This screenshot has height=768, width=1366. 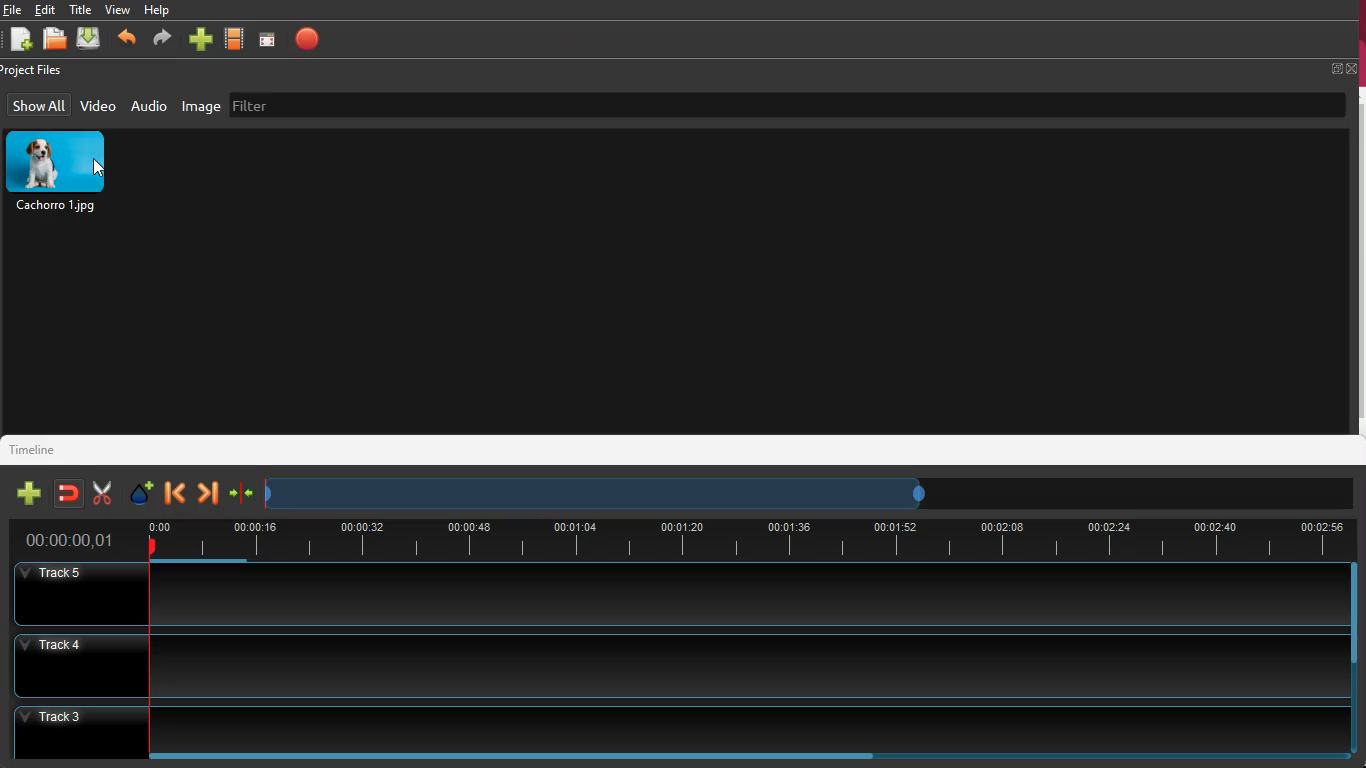 What do you see at coordinates (29, 493) in the screenshot?
I see `new` at bounding box center [29, 493].